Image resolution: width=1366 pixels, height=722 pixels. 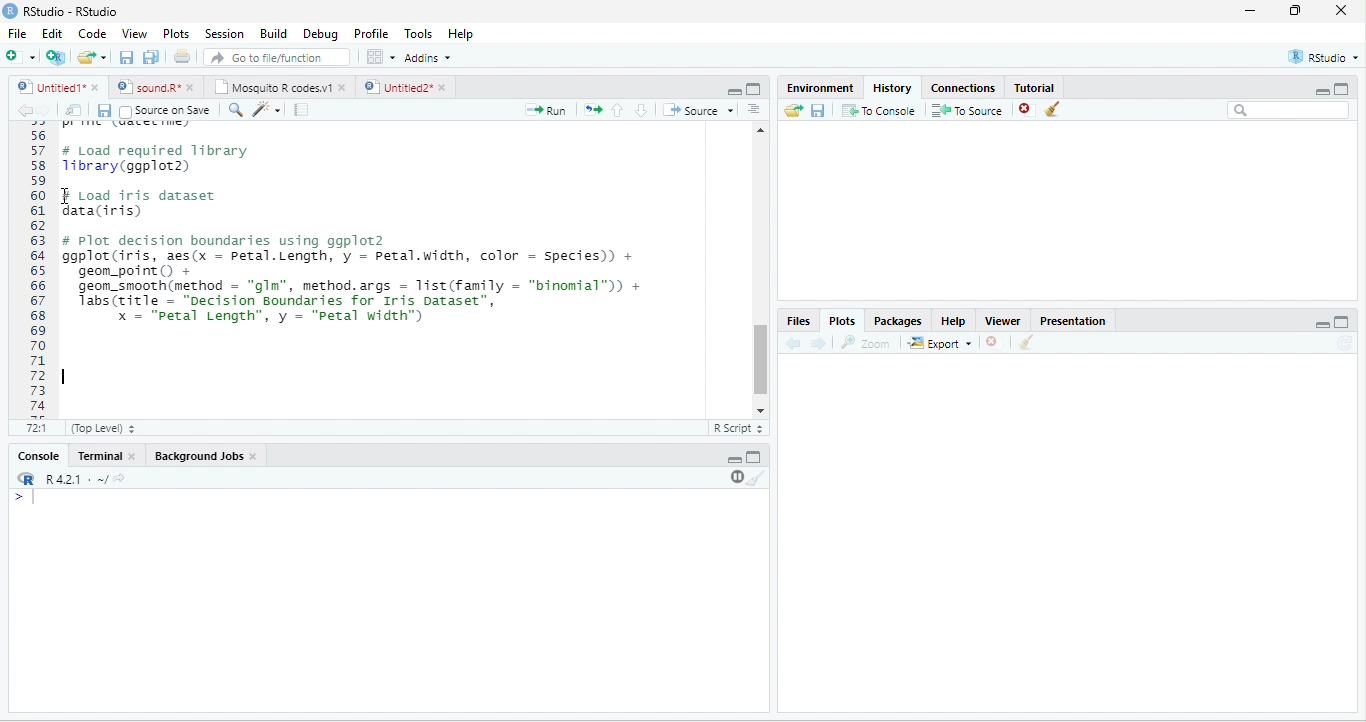 What do you see at coordinates (817, 111) in the screenshot?
I see `save` at bounding box center [817, 111].